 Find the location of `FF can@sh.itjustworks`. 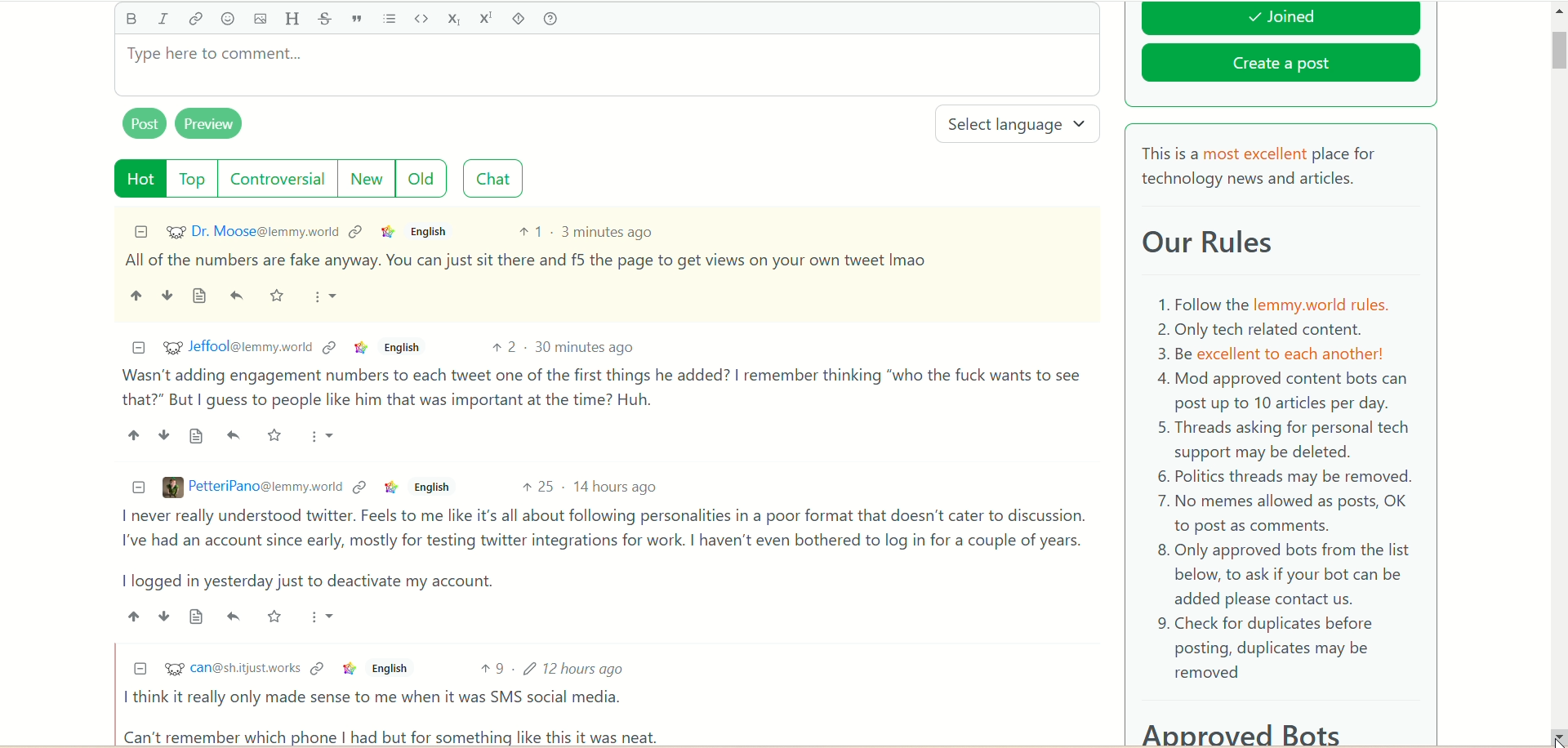

FF can@sh.itjustworks is located at coordinates (231, 670).